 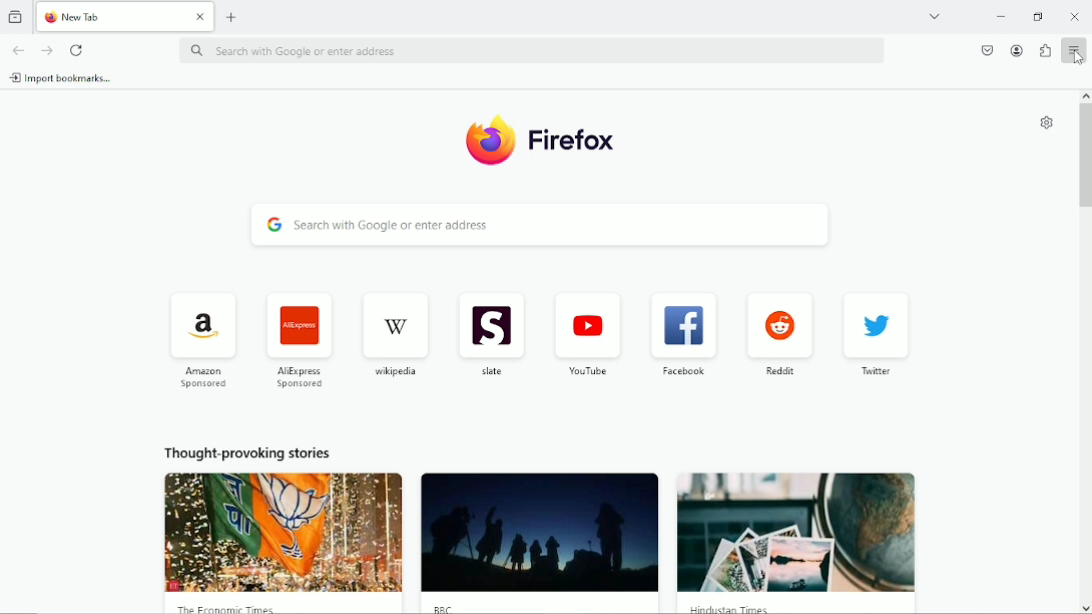 I want to click on restore down, so click(x=1039, y=14).